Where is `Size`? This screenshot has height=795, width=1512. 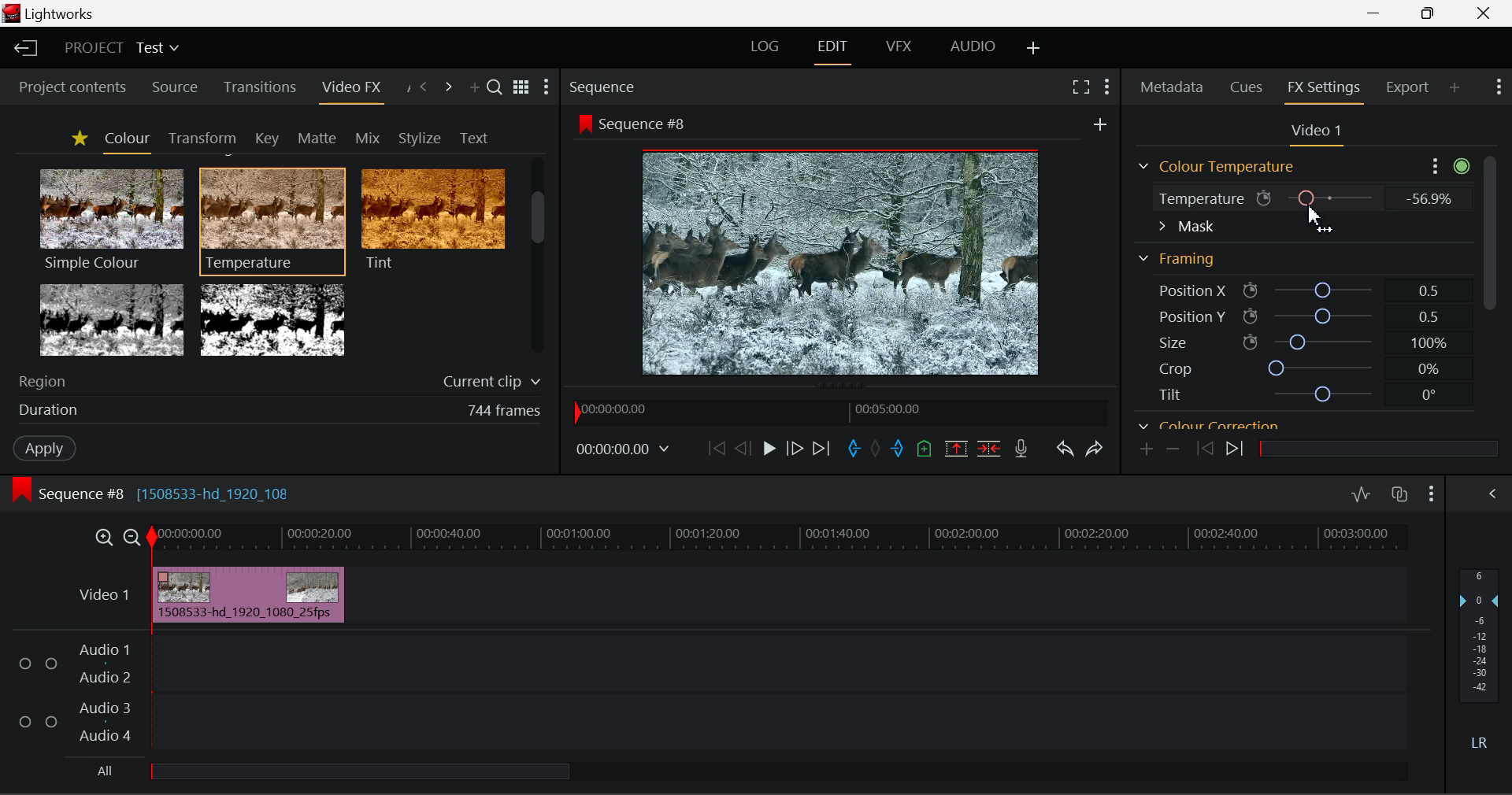
Size is located at coordinates (1171, 341).